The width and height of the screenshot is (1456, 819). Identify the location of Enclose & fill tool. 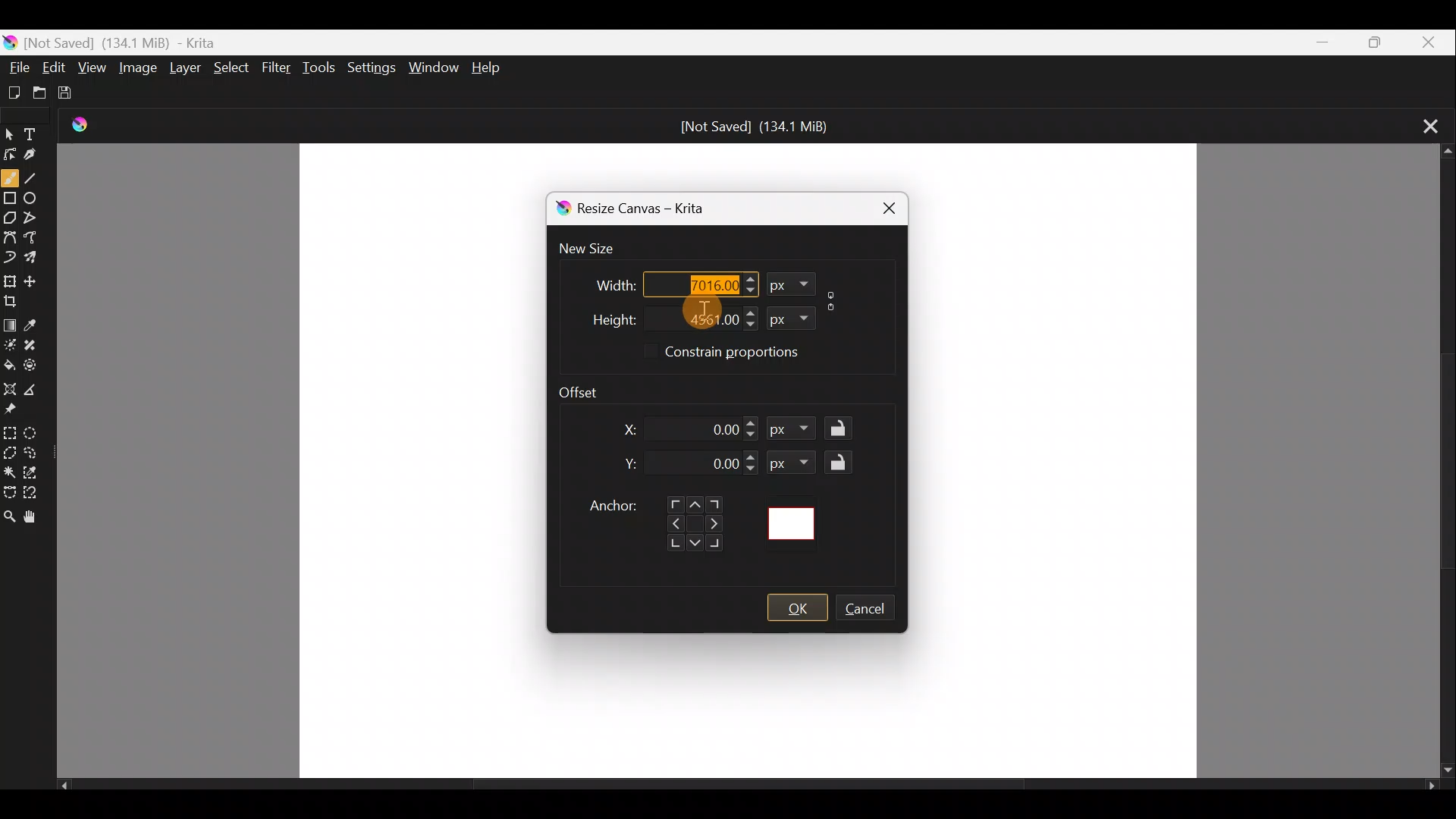
(37, 365).